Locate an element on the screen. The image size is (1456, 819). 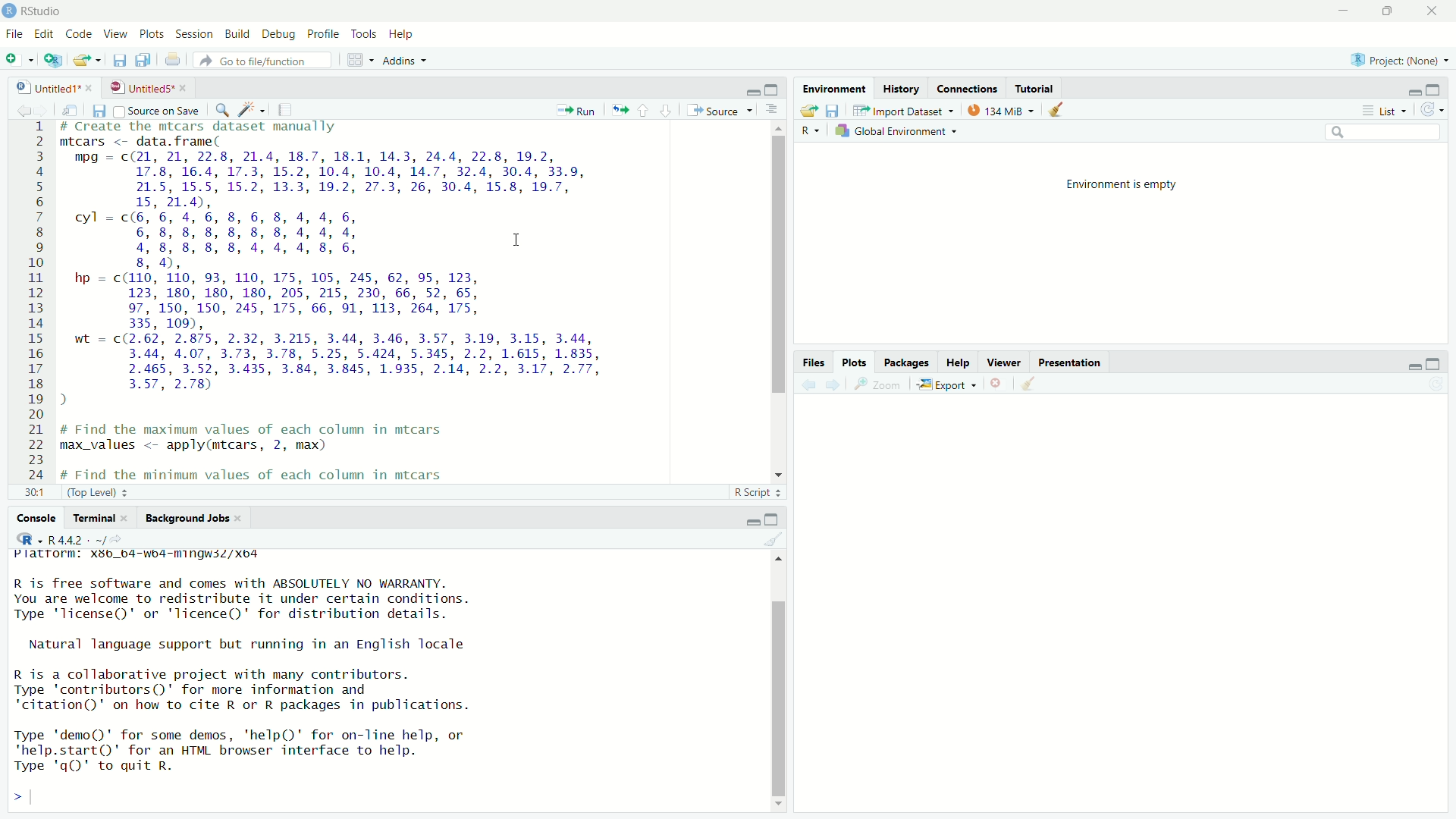
copy is located at coordinates (141, 60).